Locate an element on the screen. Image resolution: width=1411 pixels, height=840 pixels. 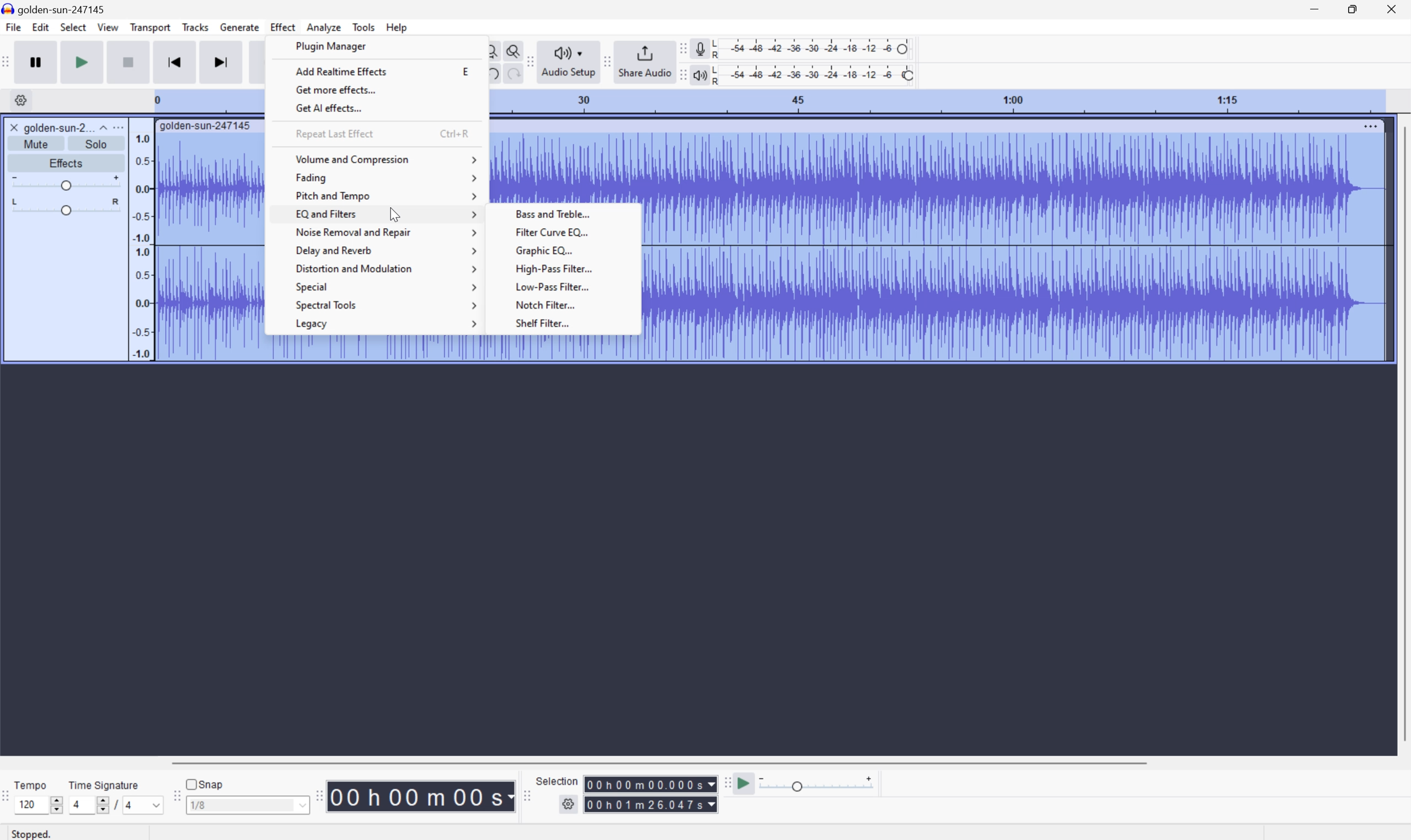
Audacity selection toolbar is located at coordinates (525, 794).